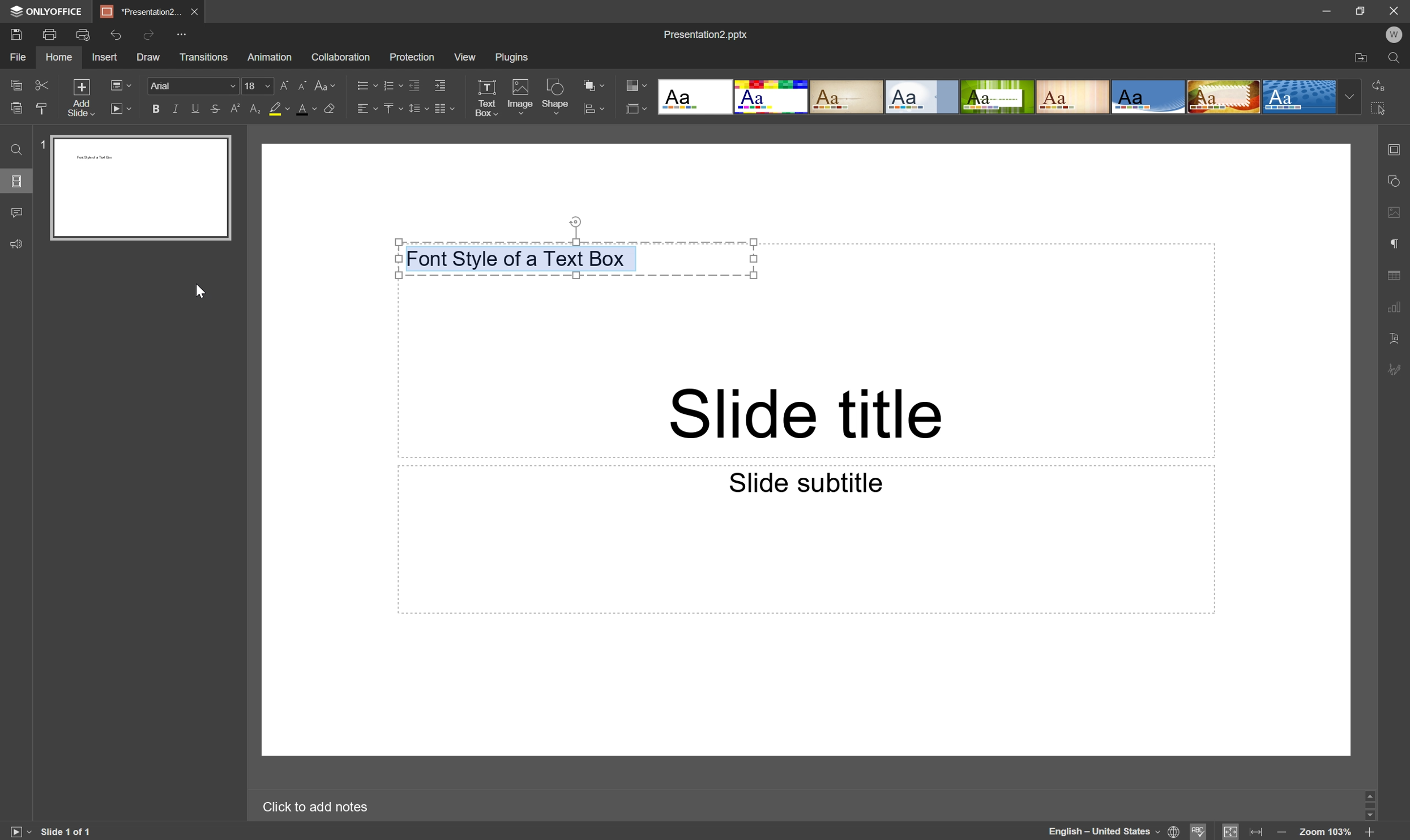 The width and height of the screenshot is (1410, 840). I want to click on Image, so click(521, 97).